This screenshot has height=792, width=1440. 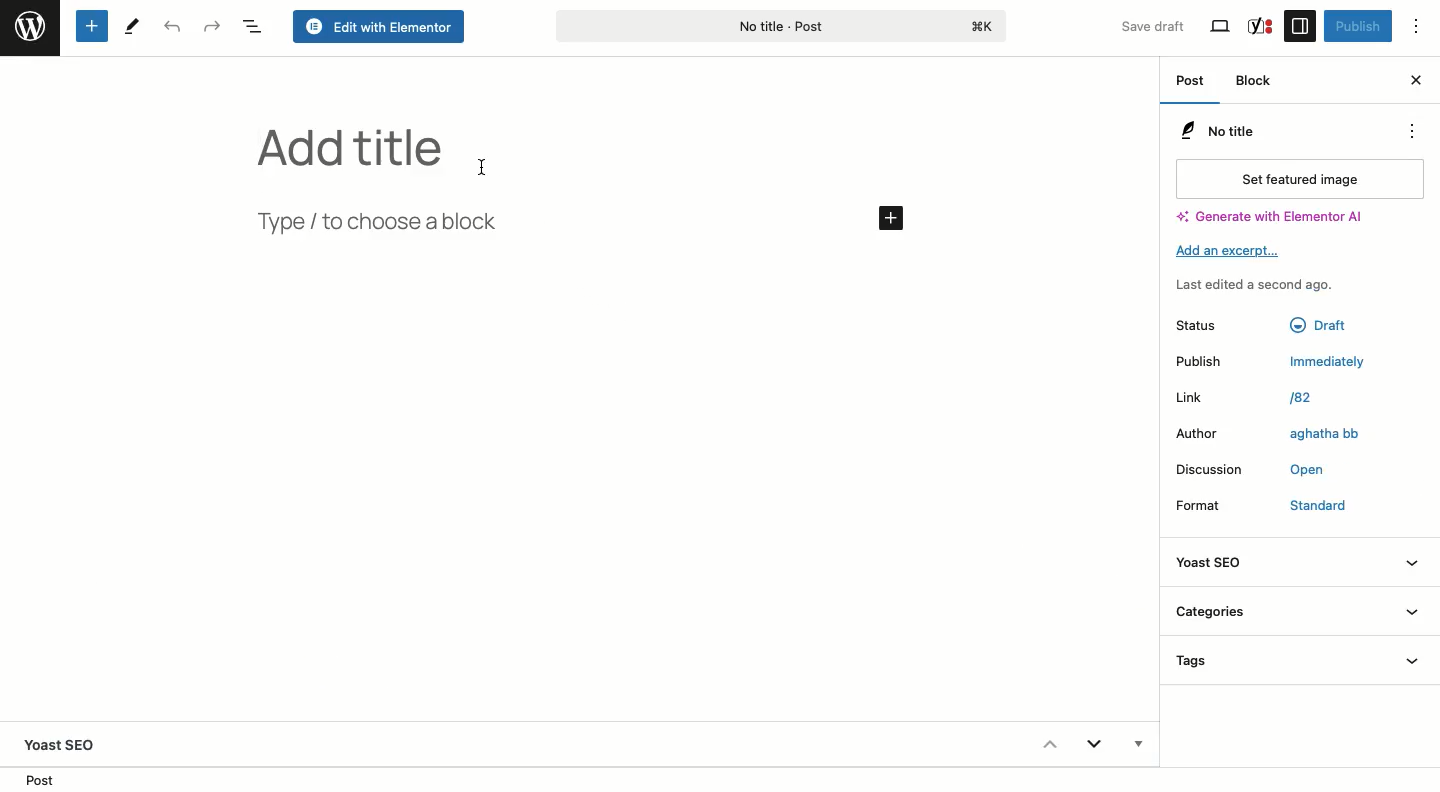 What do you see at coordinates (1136, 746) in the screenshot?
I see `Hidden` at bounding box center [1136, 746].